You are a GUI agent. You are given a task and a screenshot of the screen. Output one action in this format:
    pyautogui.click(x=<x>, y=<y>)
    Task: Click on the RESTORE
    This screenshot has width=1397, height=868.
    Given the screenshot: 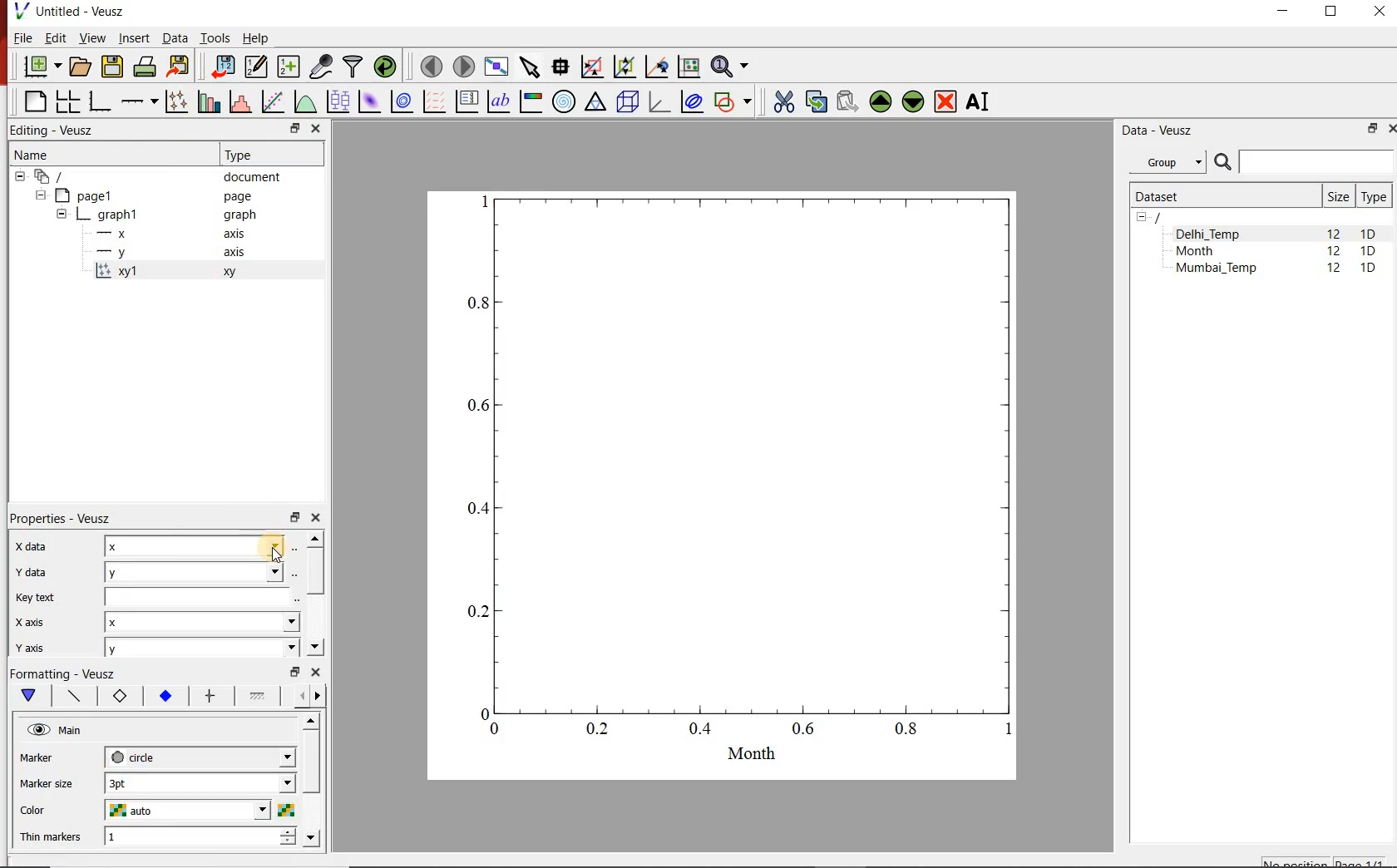 What is the action you would take?
    pyautogui.click(x=1373, y=129)
    